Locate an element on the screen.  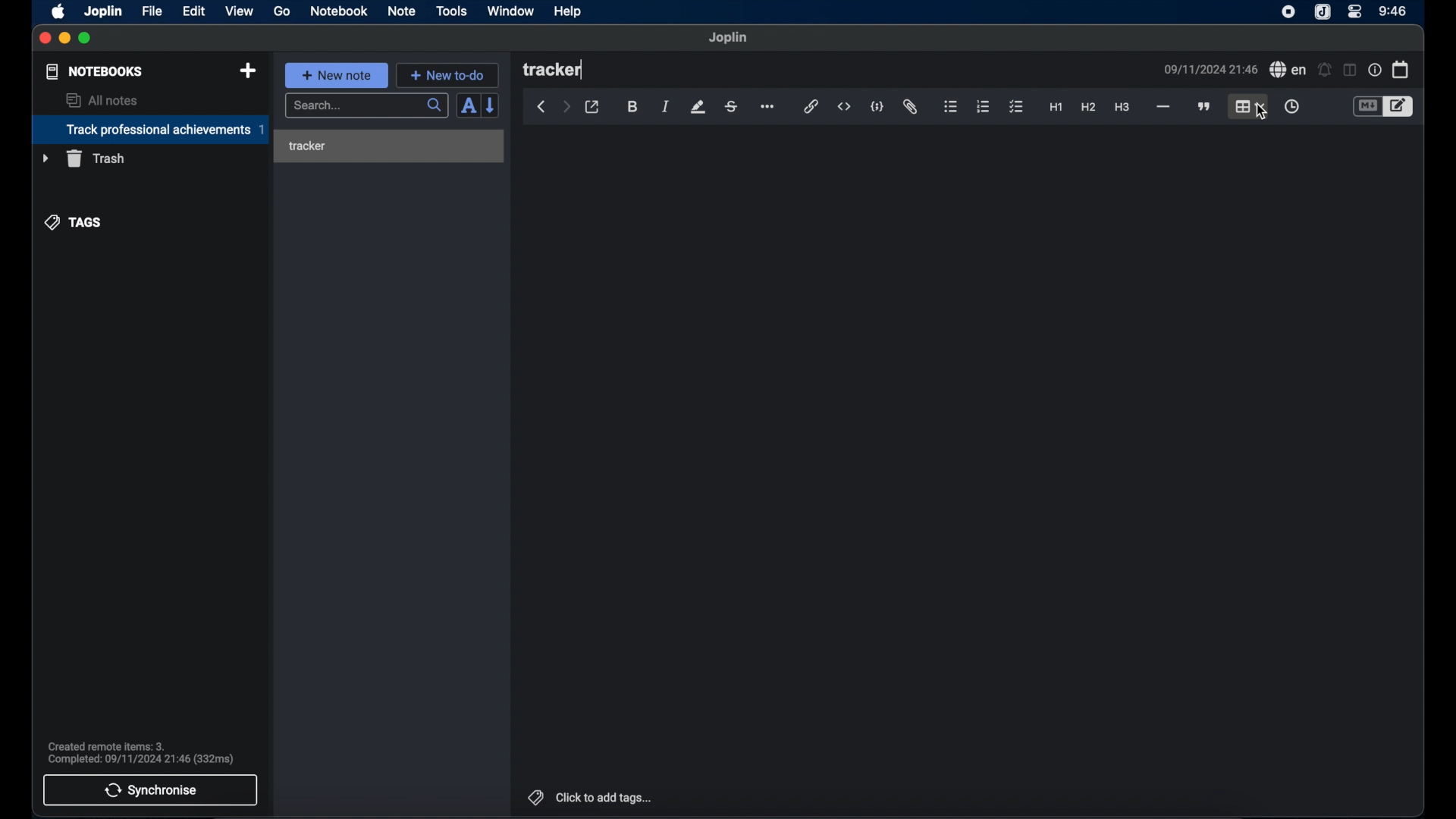
tracker is located at coordinates (554, 71).